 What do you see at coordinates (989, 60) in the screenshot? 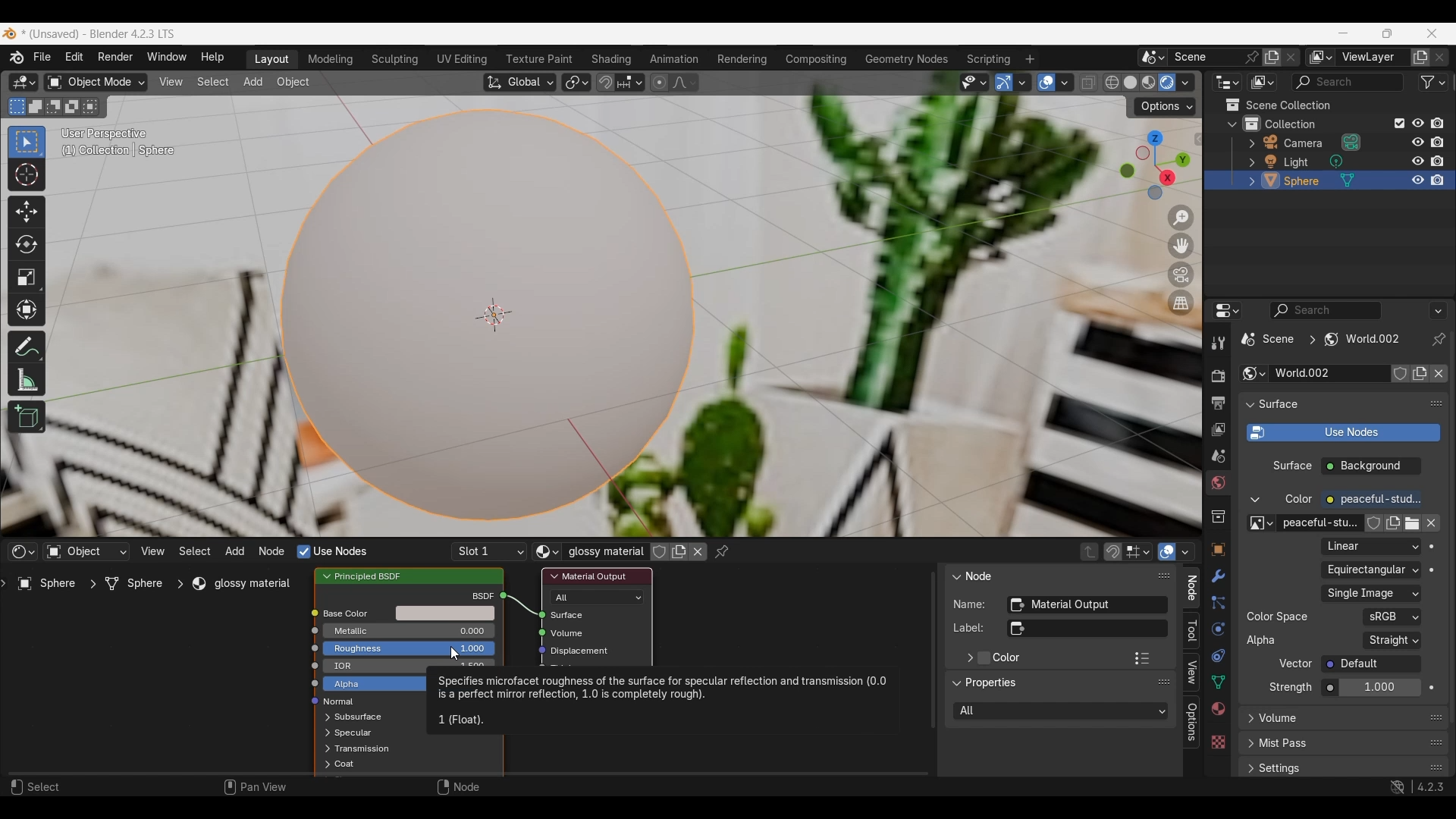
I see `Scripting workspace` at bounding box center [989, 60].